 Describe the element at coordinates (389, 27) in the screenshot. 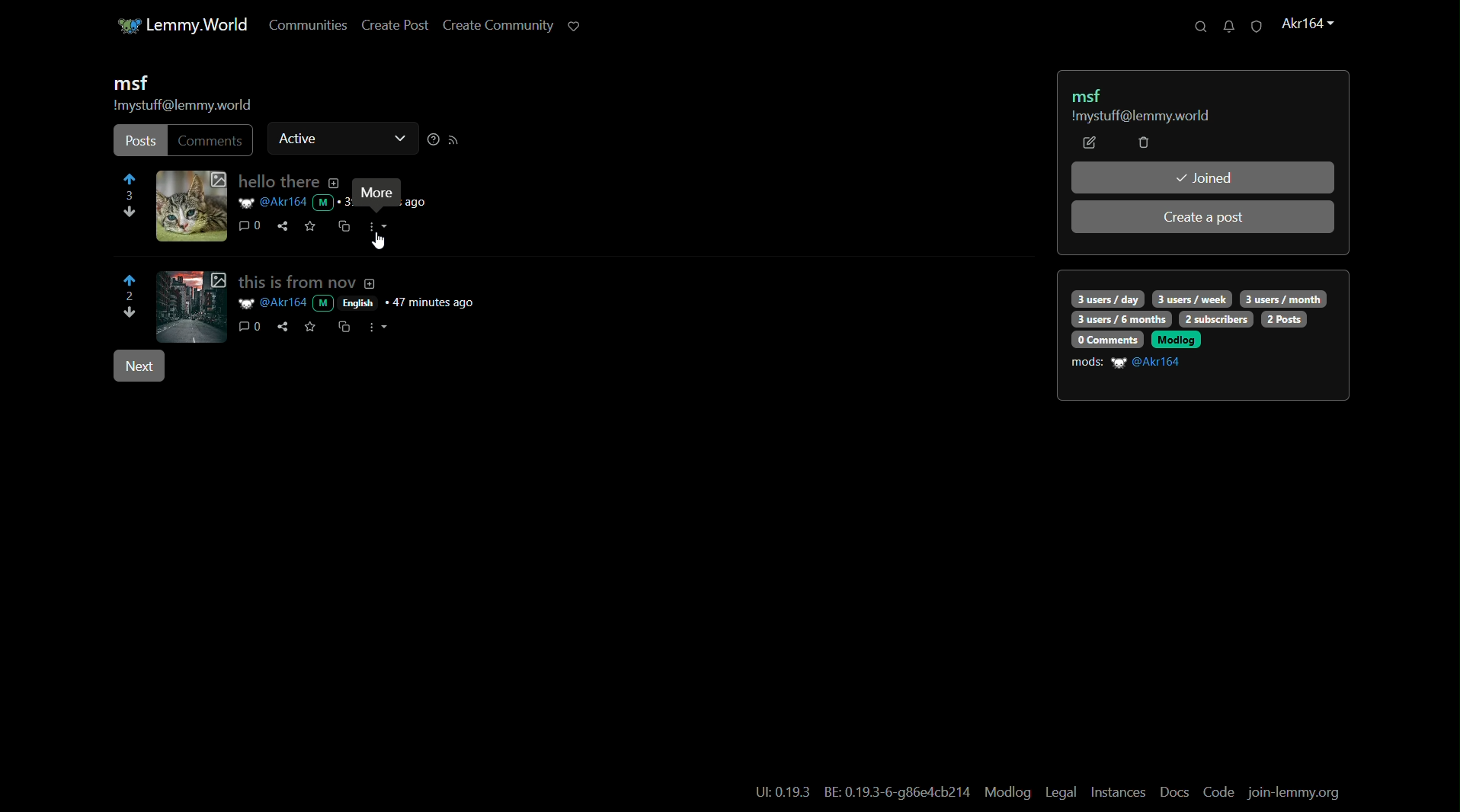

I see `create post` at that location.